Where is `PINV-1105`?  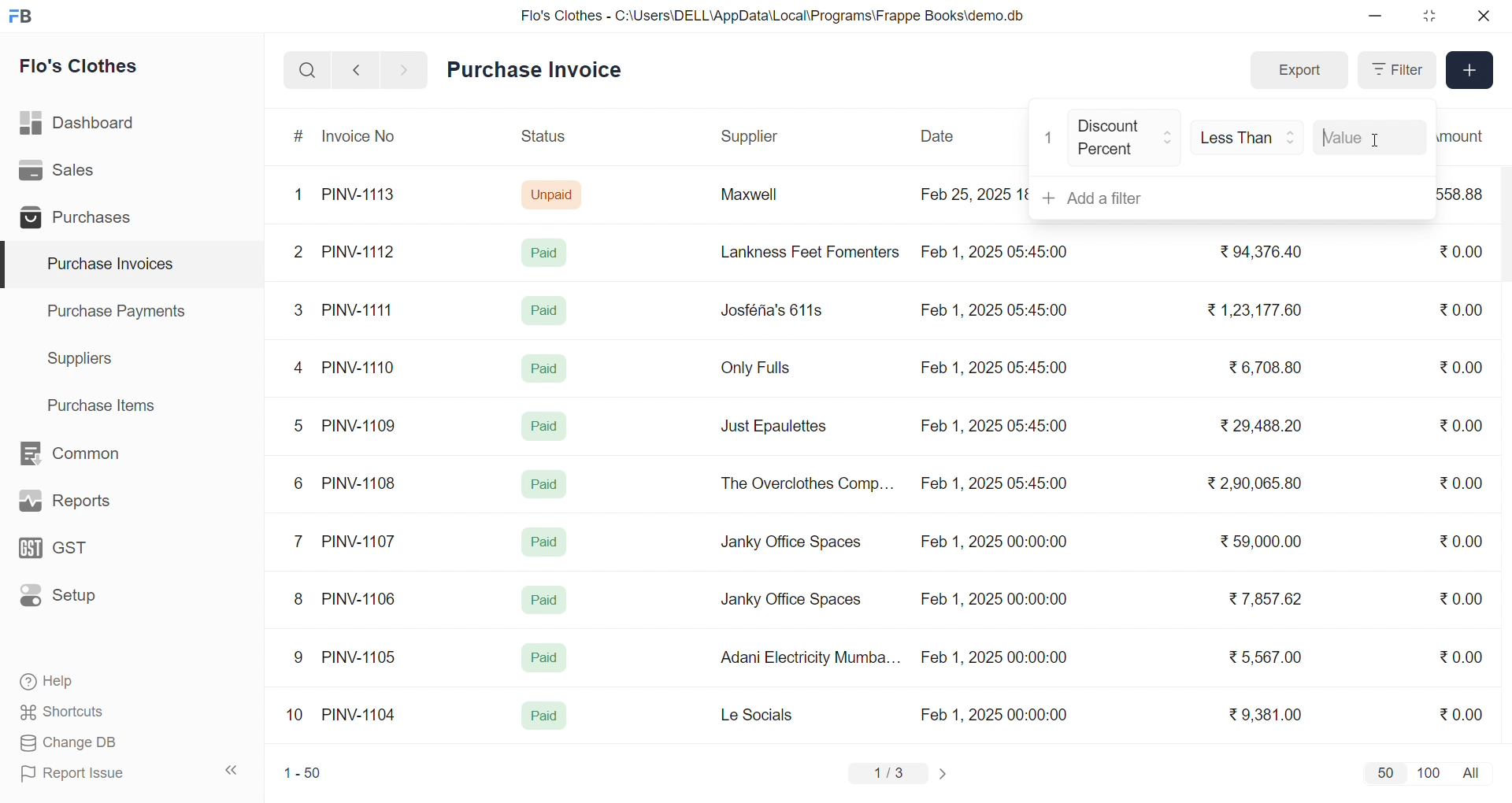
PINV-1105 is located at coordinates (362, 657).